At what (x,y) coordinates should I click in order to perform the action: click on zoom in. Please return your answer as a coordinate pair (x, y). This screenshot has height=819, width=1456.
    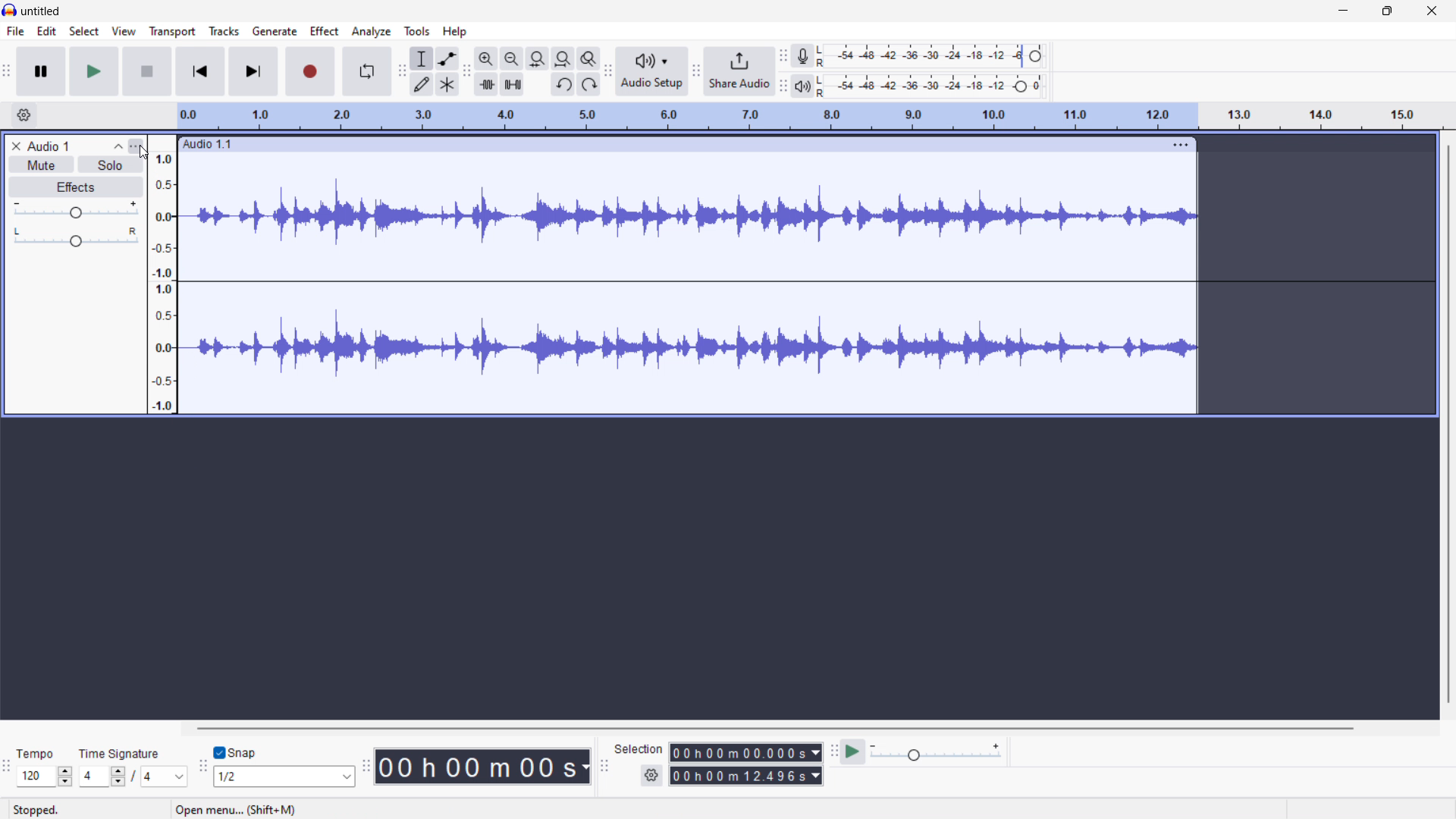
    Looking at the image, I should click on (486, 58).